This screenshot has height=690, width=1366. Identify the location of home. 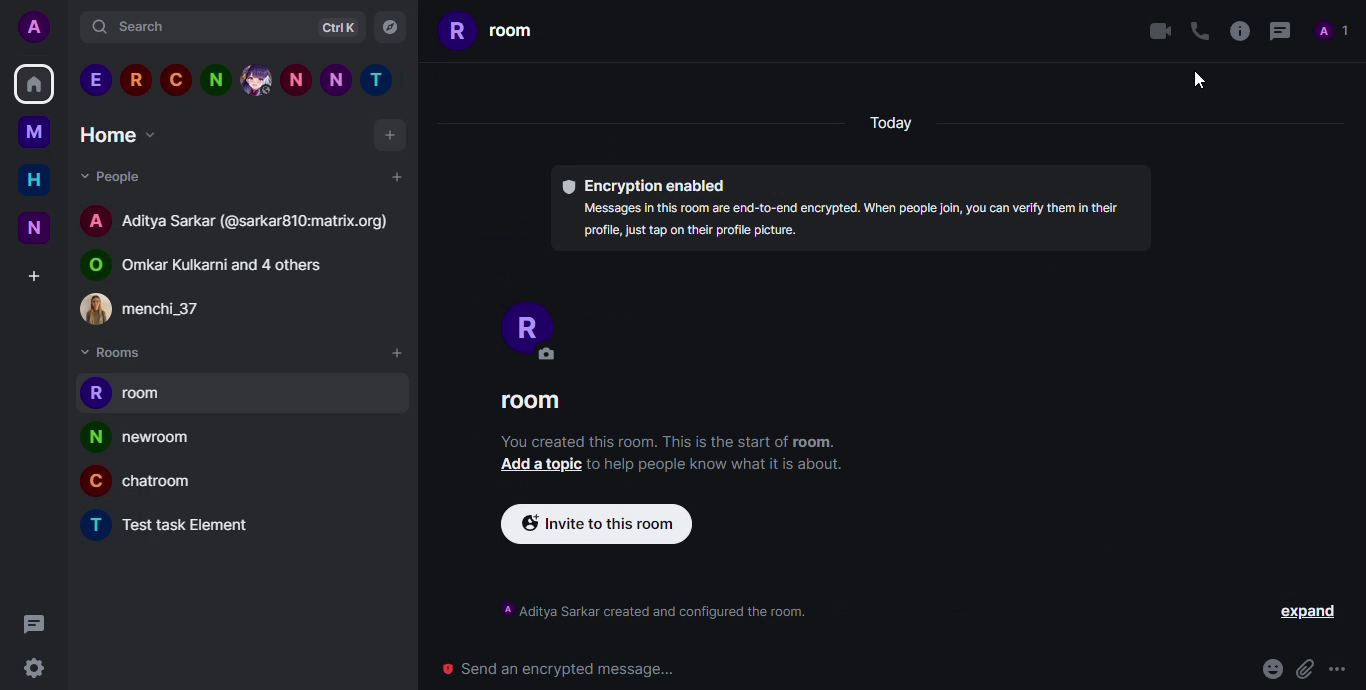
(121, 134).